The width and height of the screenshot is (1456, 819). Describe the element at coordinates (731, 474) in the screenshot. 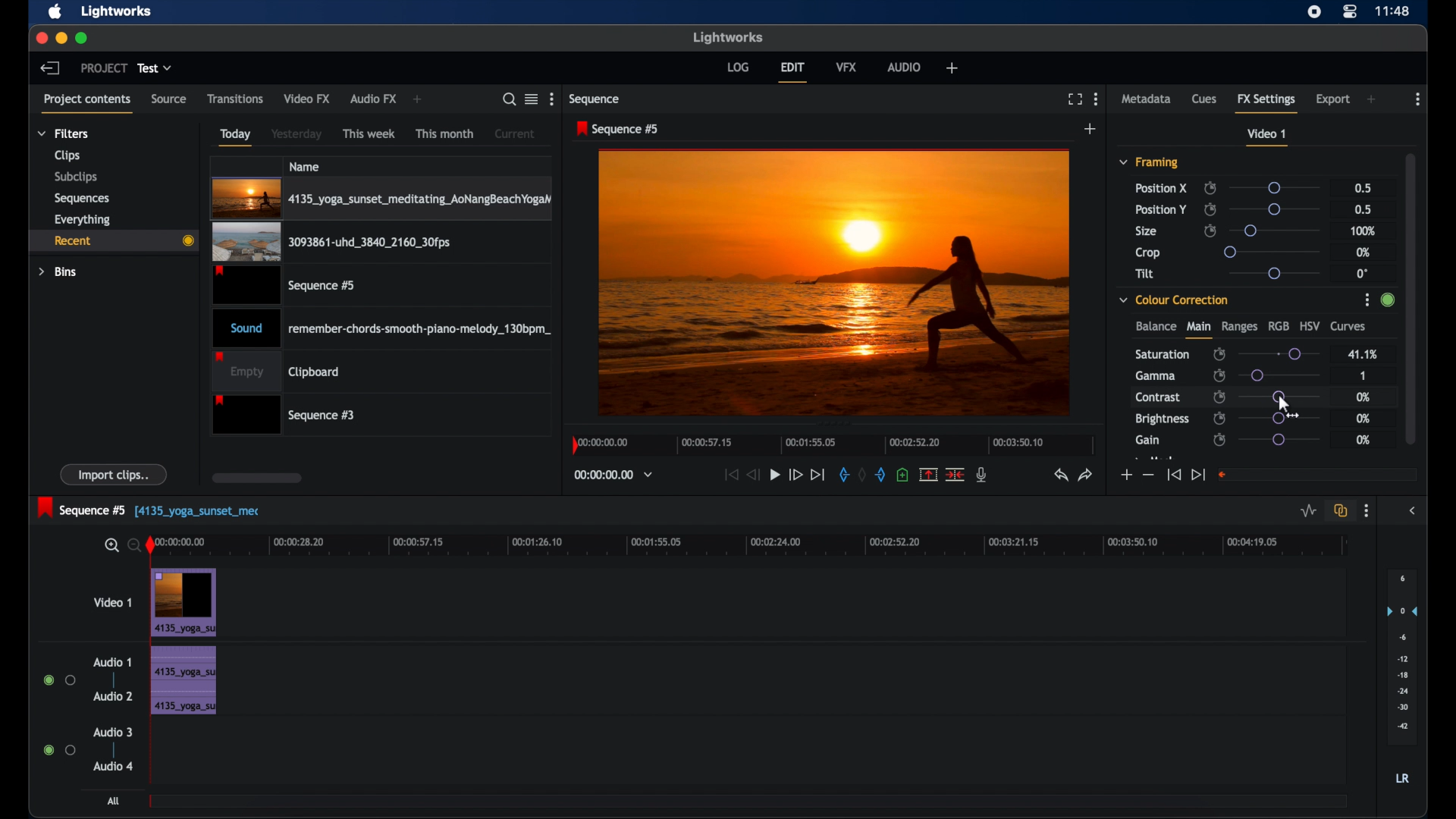

I see `jump to start` at that location.